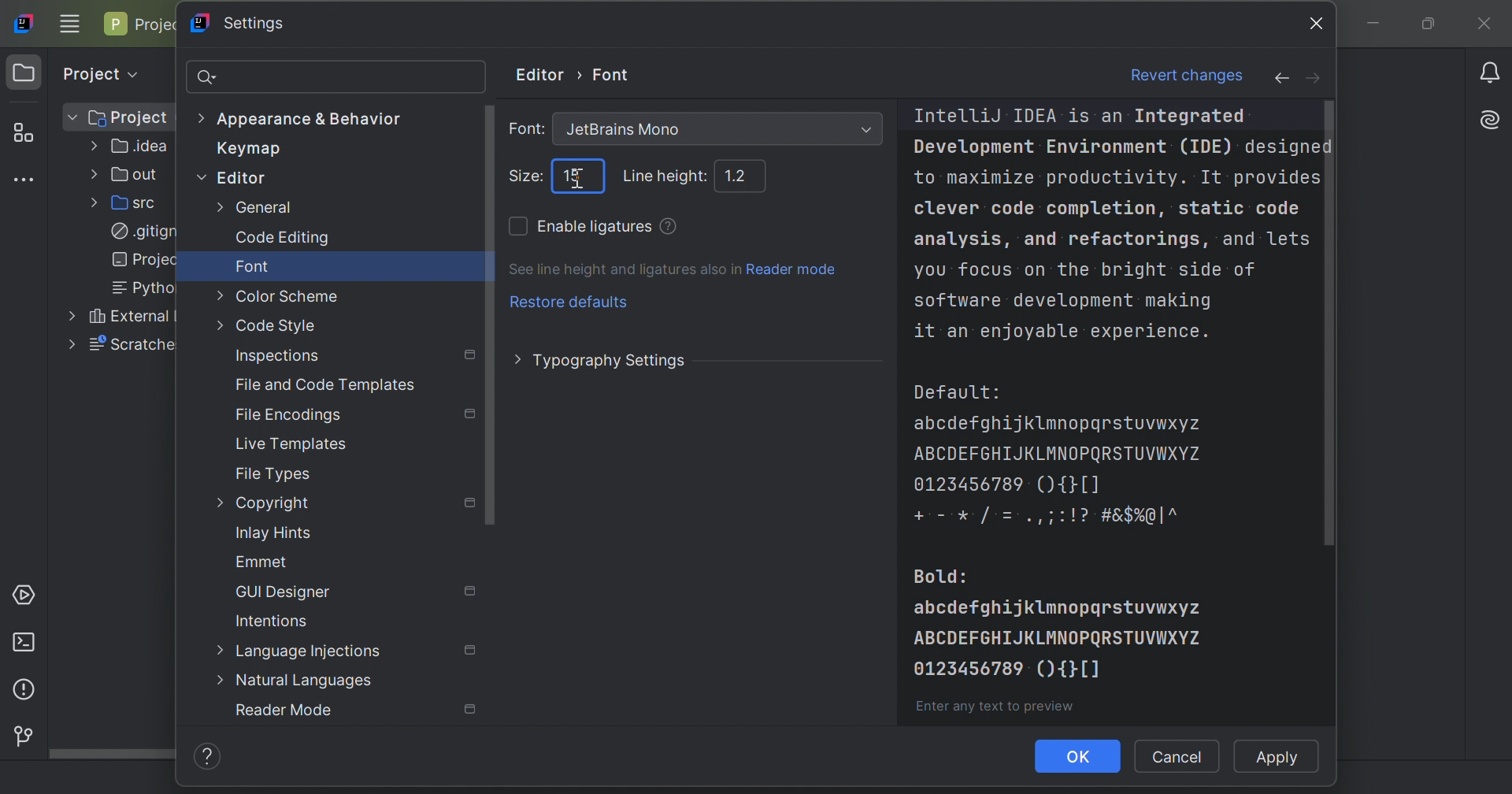 The image size is (1512, 794). Describe the element at coordinates (1314, 80) in the screenshot. I see `forward` at that location.